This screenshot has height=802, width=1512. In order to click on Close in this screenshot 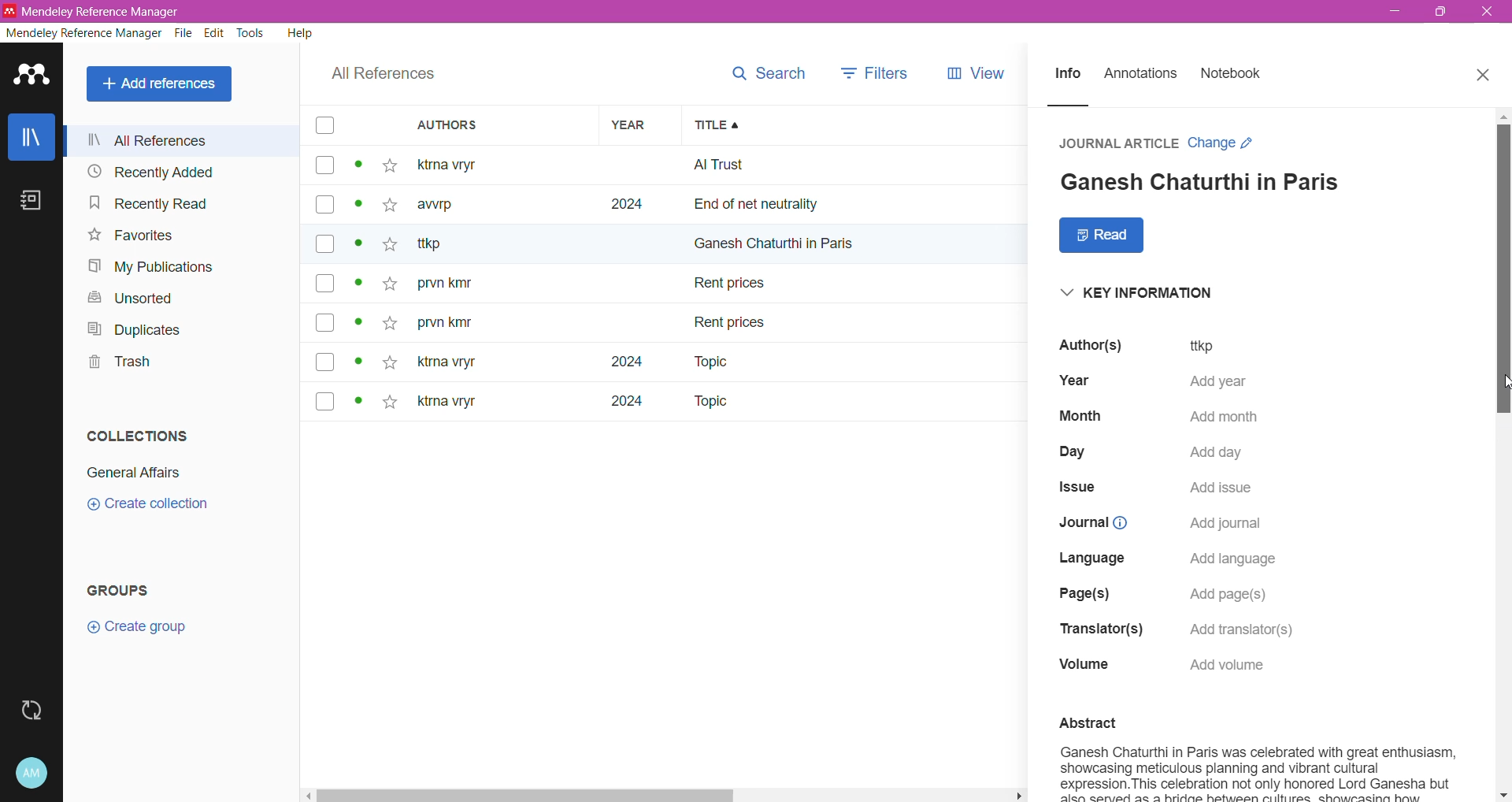, I will do `click(1484, 76)`.